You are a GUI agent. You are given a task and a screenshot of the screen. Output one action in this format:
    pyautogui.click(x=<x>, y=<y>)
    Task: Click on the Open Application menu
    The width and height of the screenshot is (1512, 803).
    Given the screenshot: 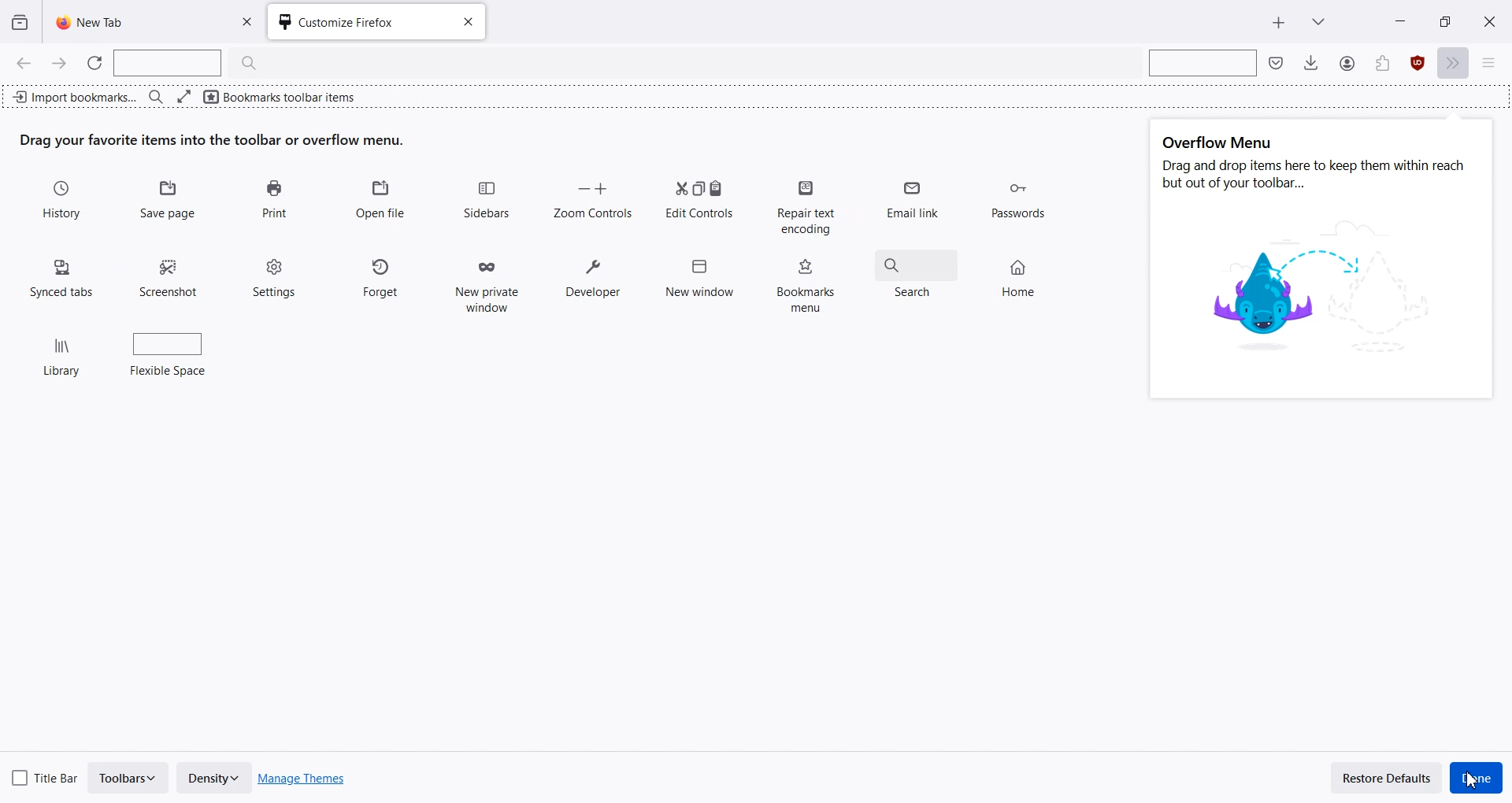 What is the action you would take?
    pyautogui.click(x=1495, y=64)
    